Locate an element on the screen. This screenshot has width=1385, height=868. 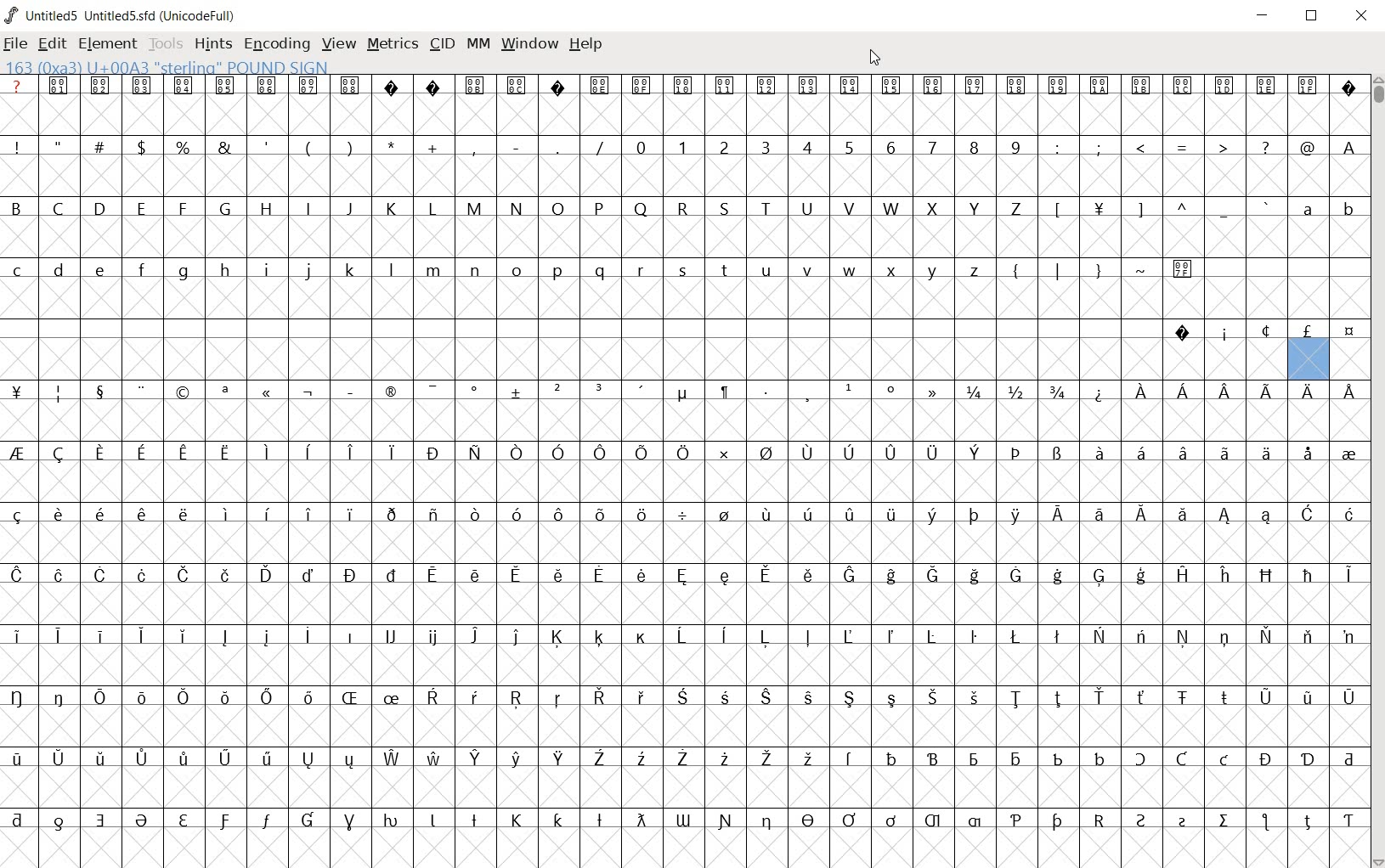
Symbol is located at coordinates (349, 634).